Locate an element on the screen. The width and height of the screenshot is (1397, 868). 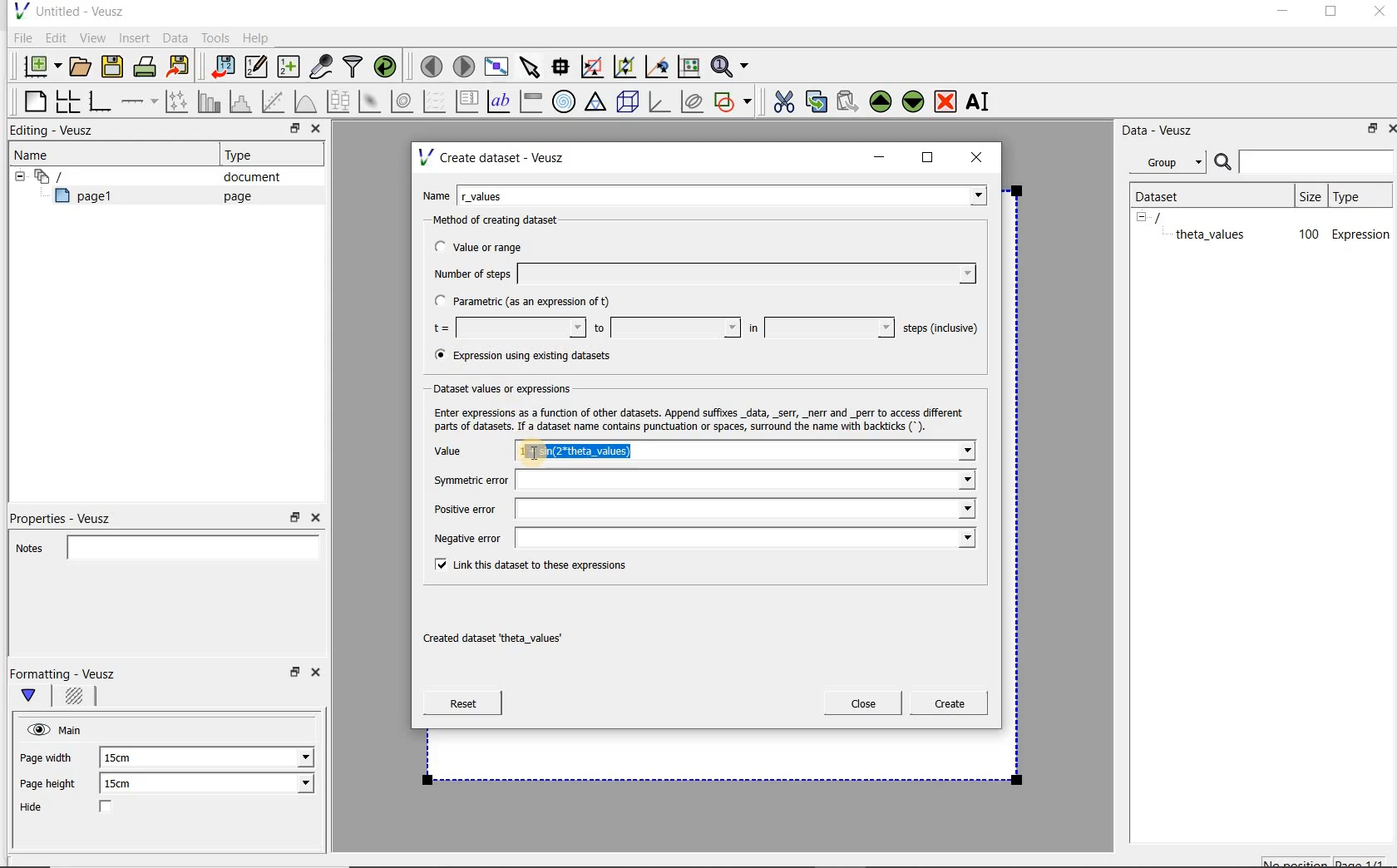
move to the next page is located at coordinates (464, 67).